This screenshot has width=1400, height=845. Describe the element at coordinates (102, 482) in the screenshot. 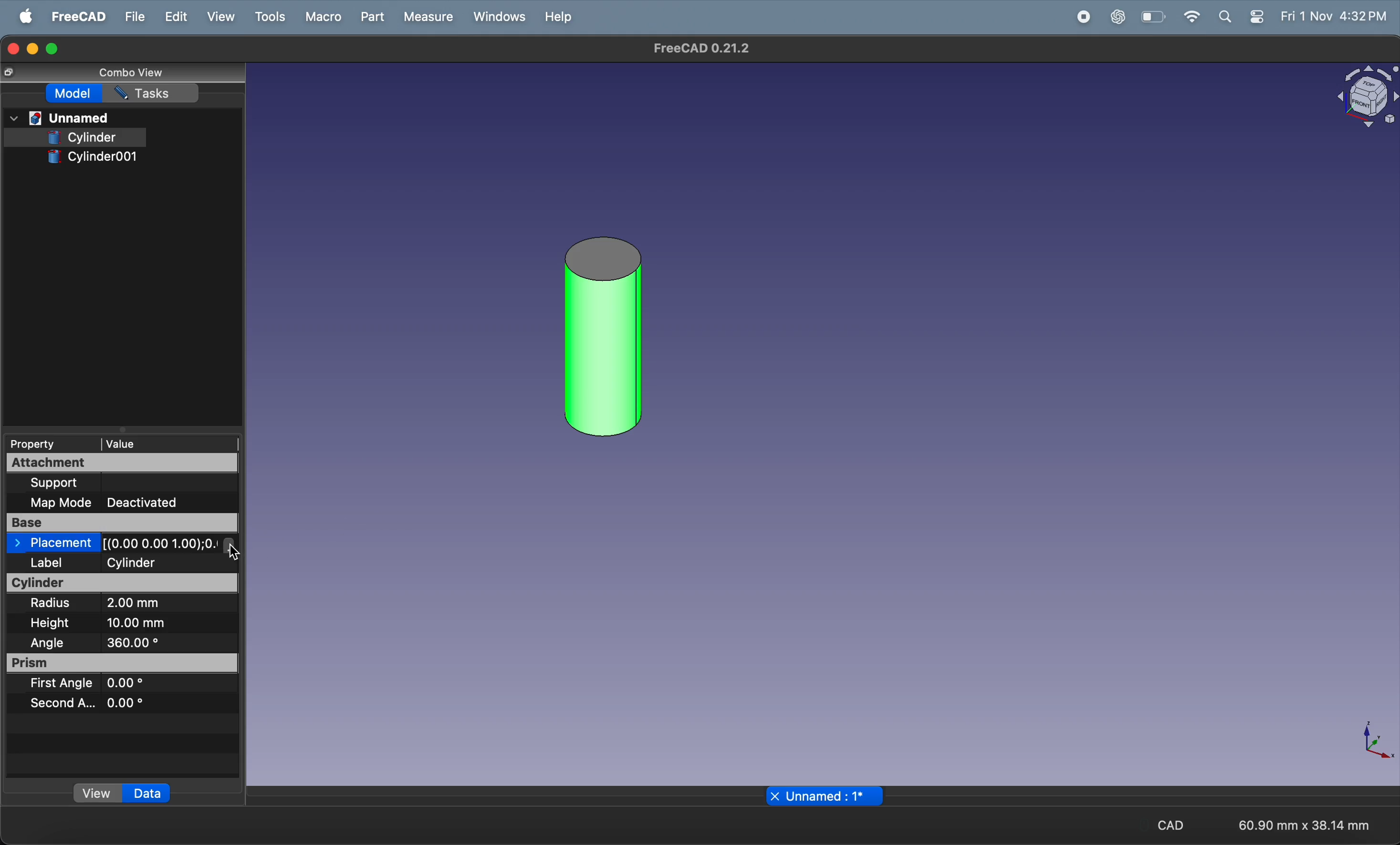

I see `support` at that location.